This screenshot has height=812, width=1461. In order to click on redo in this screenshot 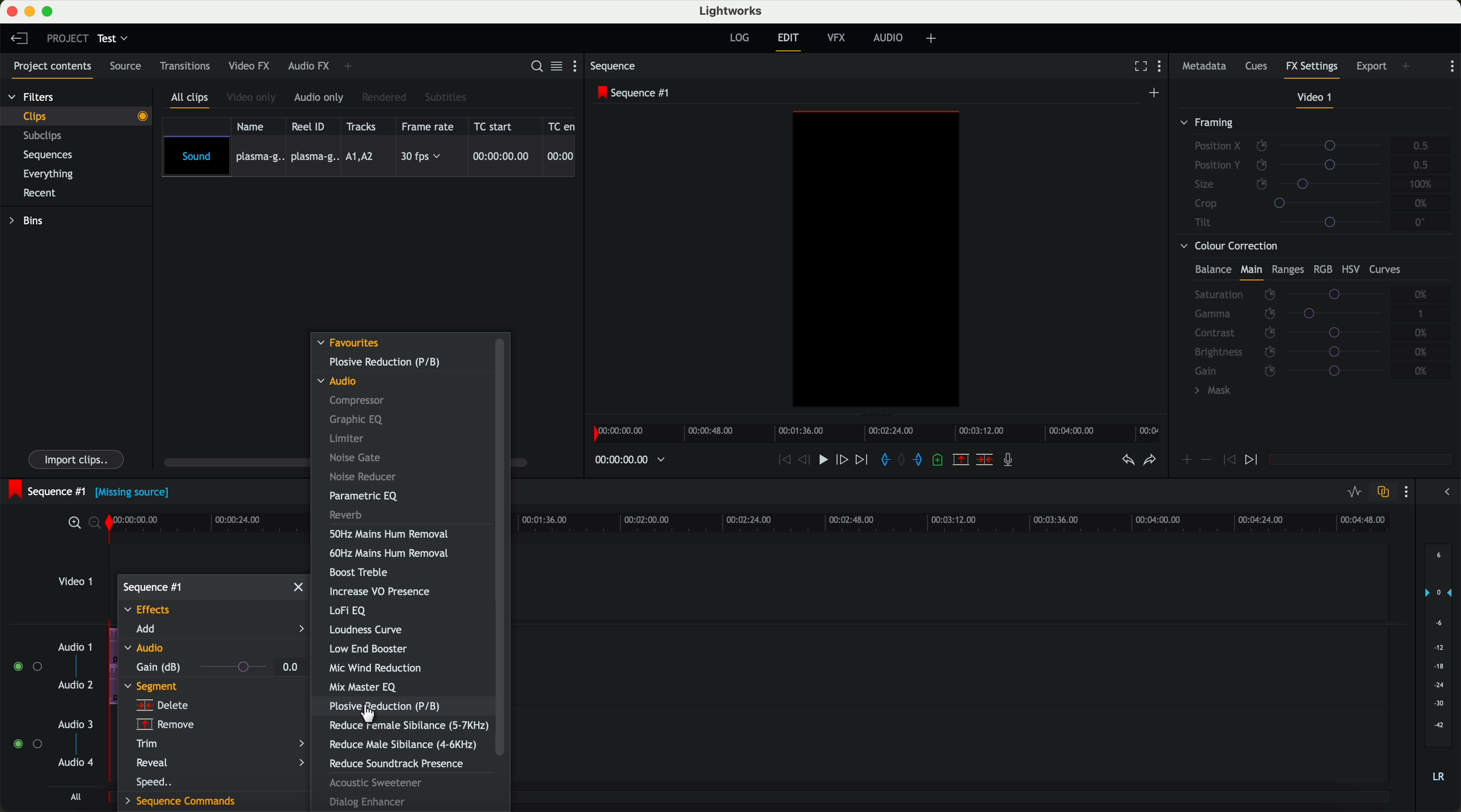, I will do `click(1148, 462)`.